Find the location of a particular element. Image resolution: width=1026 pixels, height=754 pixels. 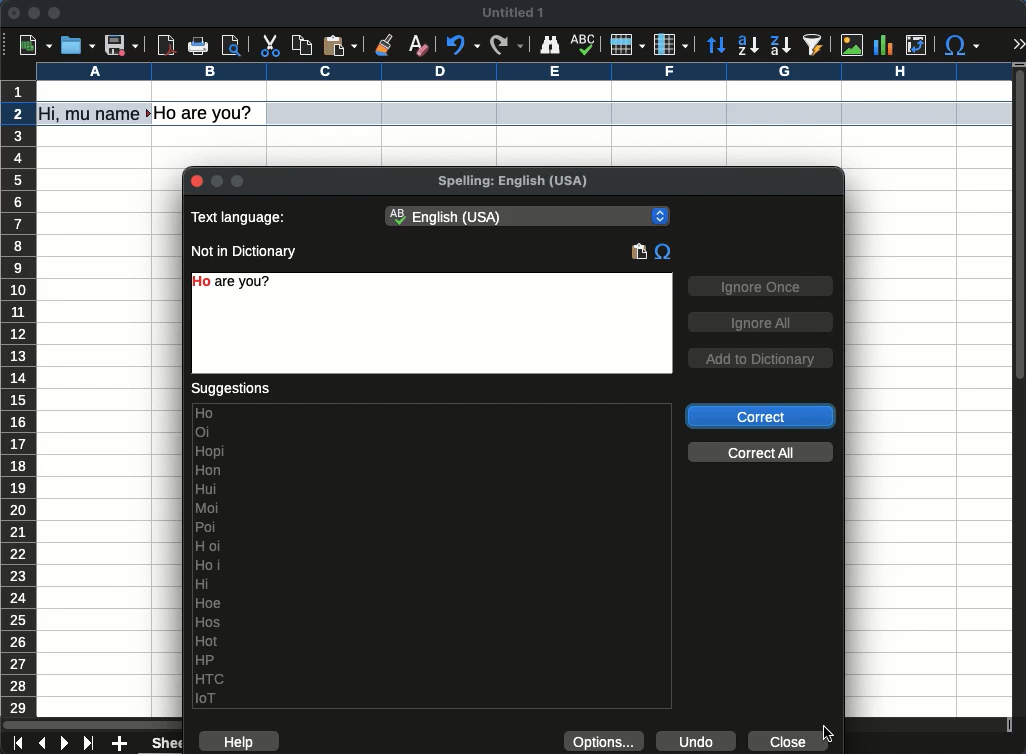

Hi is located at coordinates (204, 583).